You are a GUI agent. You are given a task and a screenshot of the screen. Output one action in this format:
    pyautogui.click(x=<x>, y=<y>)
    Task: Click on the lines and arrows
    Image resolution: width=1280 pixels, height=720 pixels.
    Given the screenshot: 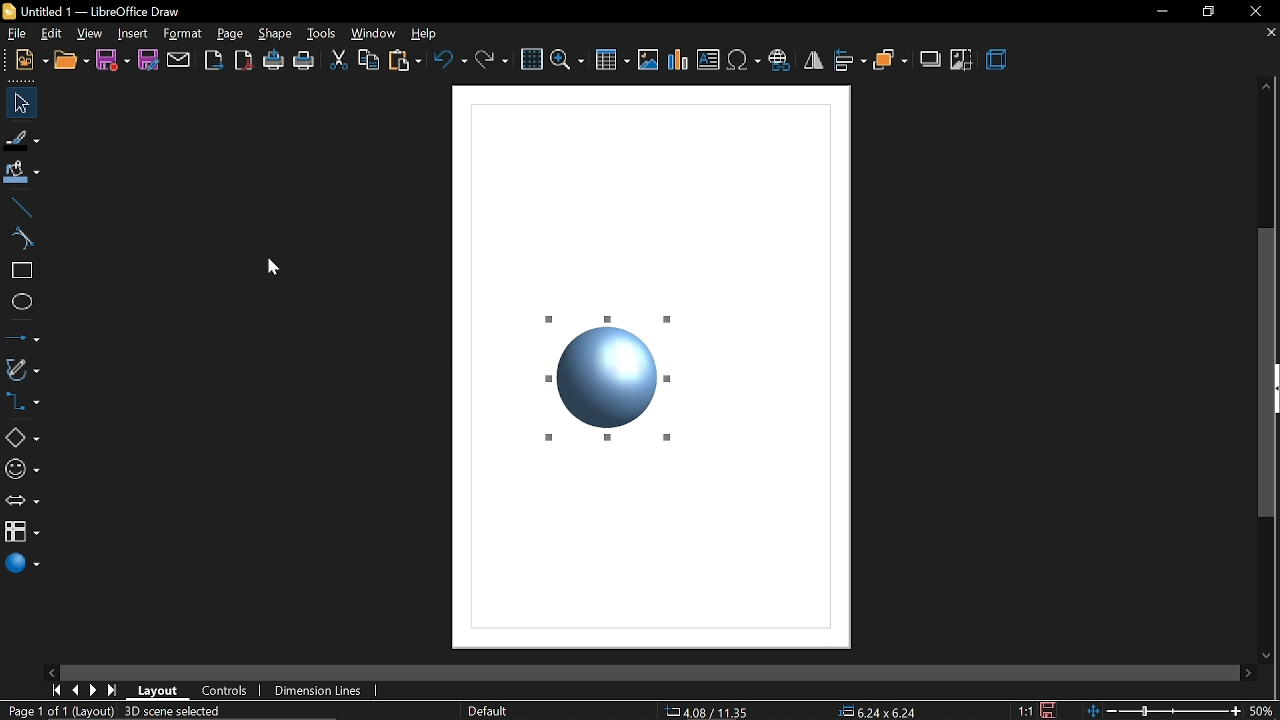 What is the action you would take?
    pyautogui.click(x=21, y=335)
    